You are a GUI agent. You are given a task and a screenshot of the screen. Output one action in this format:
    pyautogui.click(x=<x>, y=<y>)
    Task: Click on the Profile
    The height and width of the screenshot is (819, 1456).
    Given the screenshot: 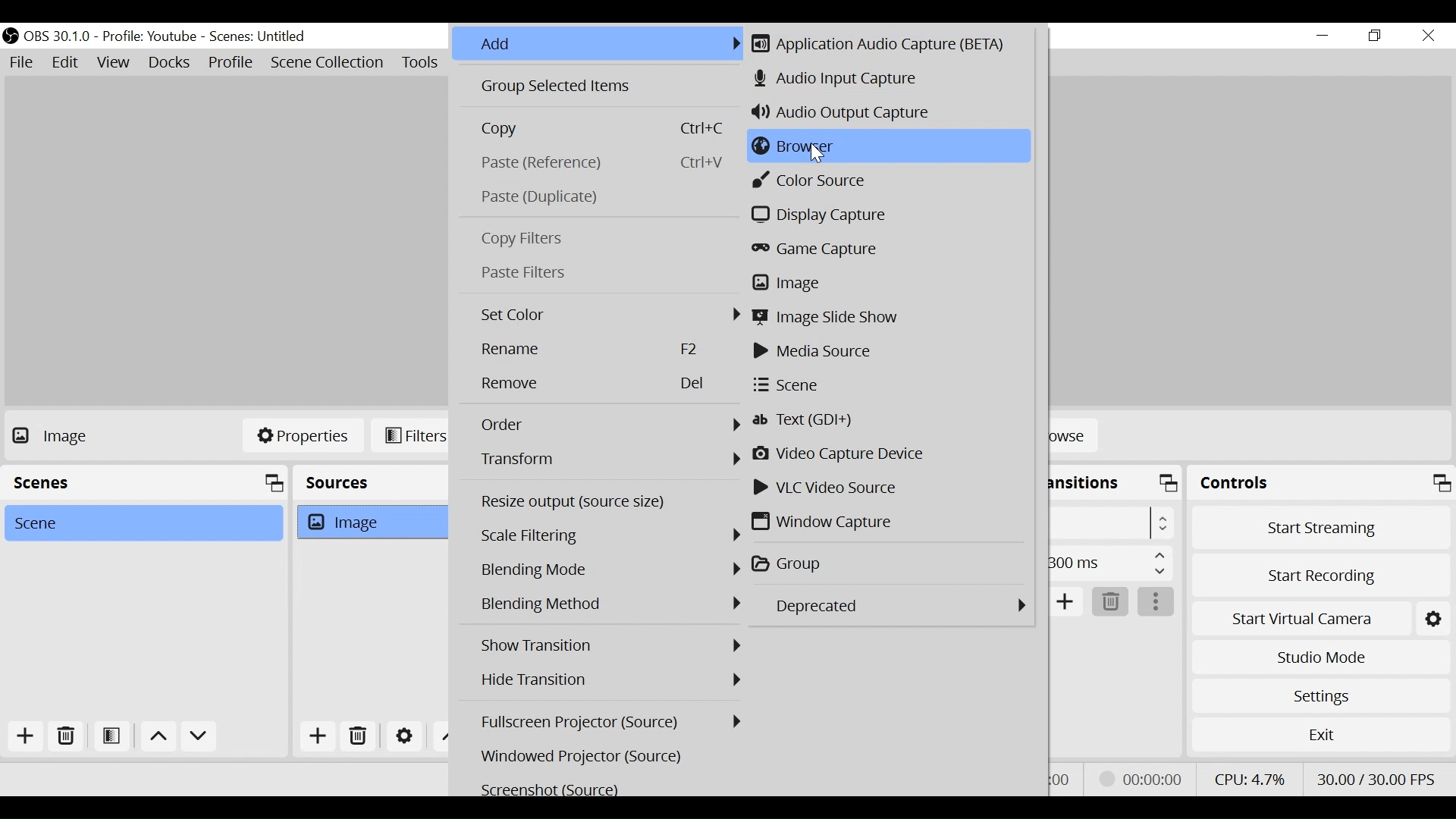 What is the action you would take?
    pyautogui.click(x=149, y=37)
    